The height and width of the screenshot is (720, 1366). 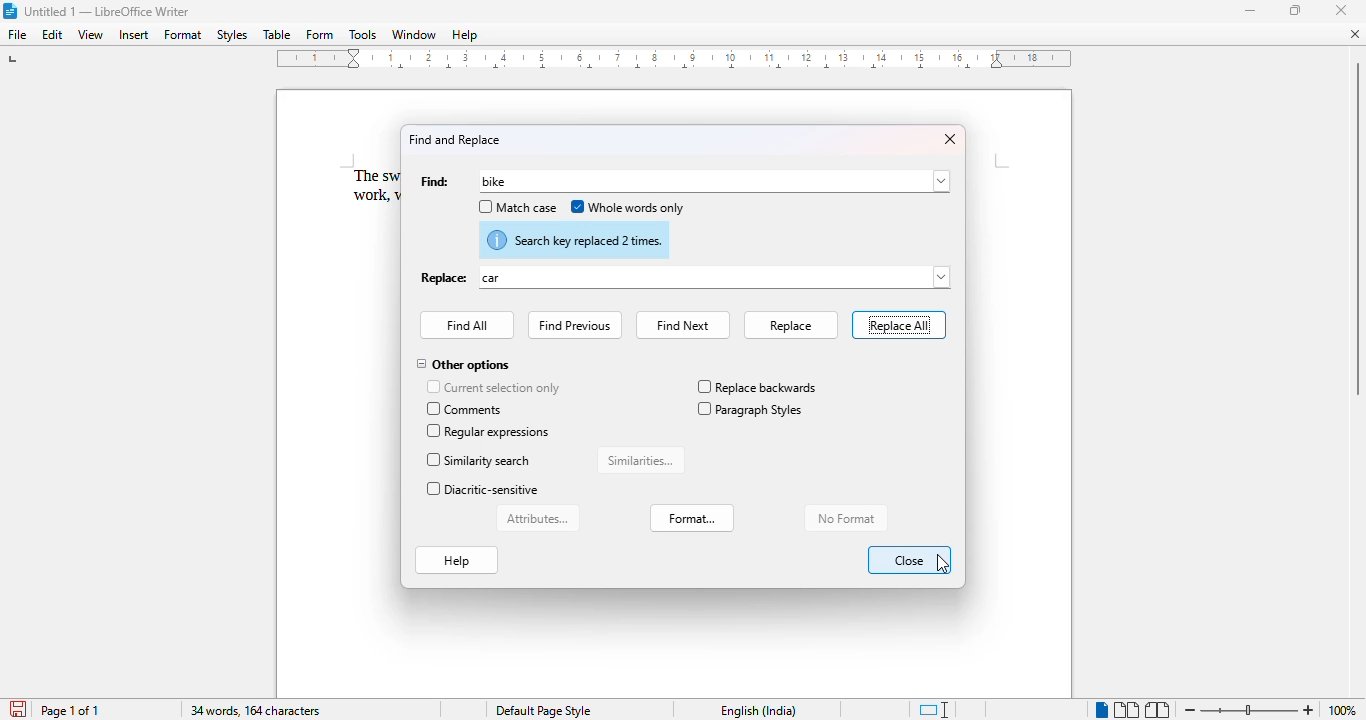 What do you see at coordinates (364, 35) in the screenshot?
I see `tools` at bounding box center [364, 35].